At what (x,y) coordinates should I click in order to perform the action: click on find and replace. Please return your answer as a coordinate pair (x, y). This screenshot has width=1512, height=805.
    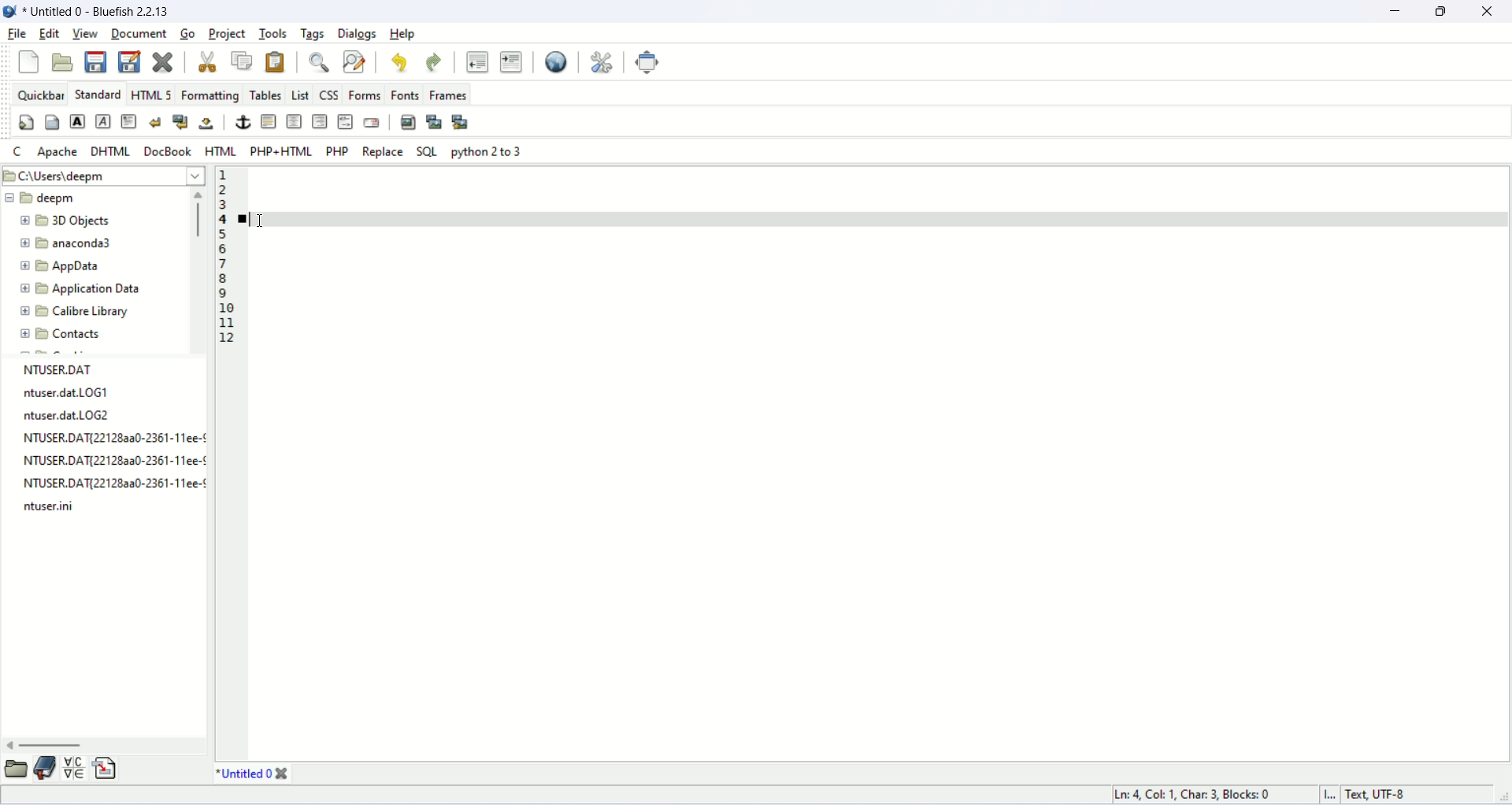
    Looking at the image, I should click on (355, 61).